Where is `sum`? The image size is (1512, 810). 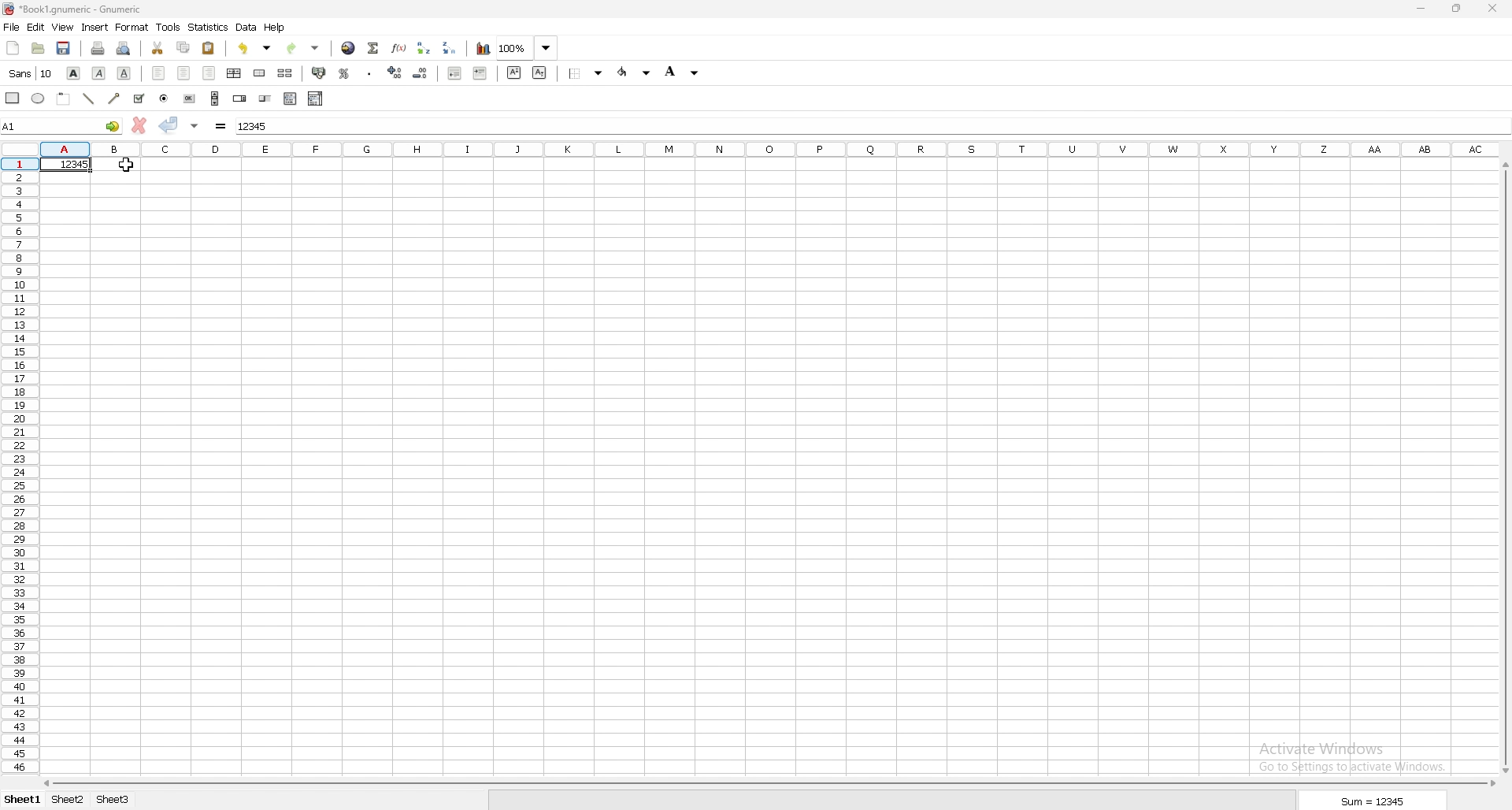
sum is located at coordinates (1371, 801).